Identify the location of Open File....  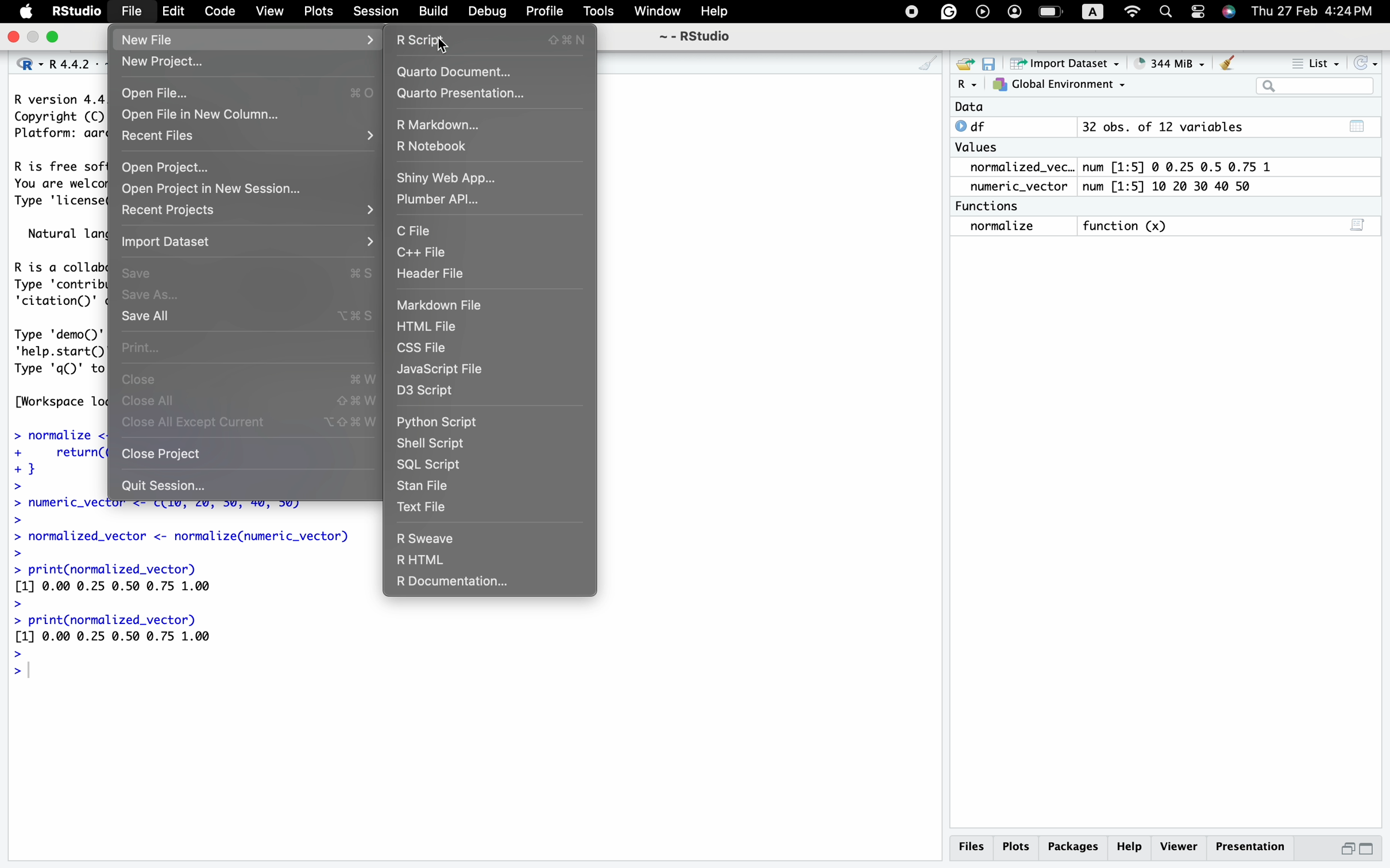
(160, 94).